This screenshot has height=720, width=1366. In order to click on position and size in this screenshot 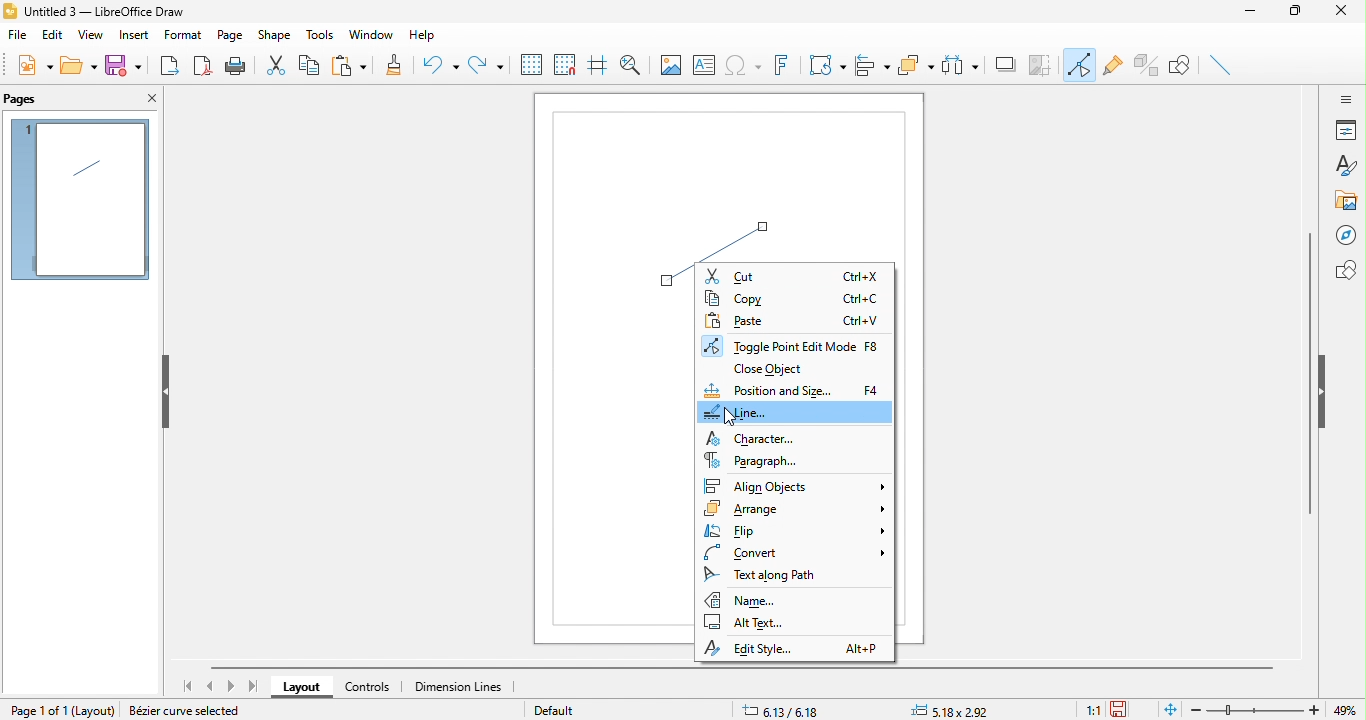, I will do `click(794, 390)`.